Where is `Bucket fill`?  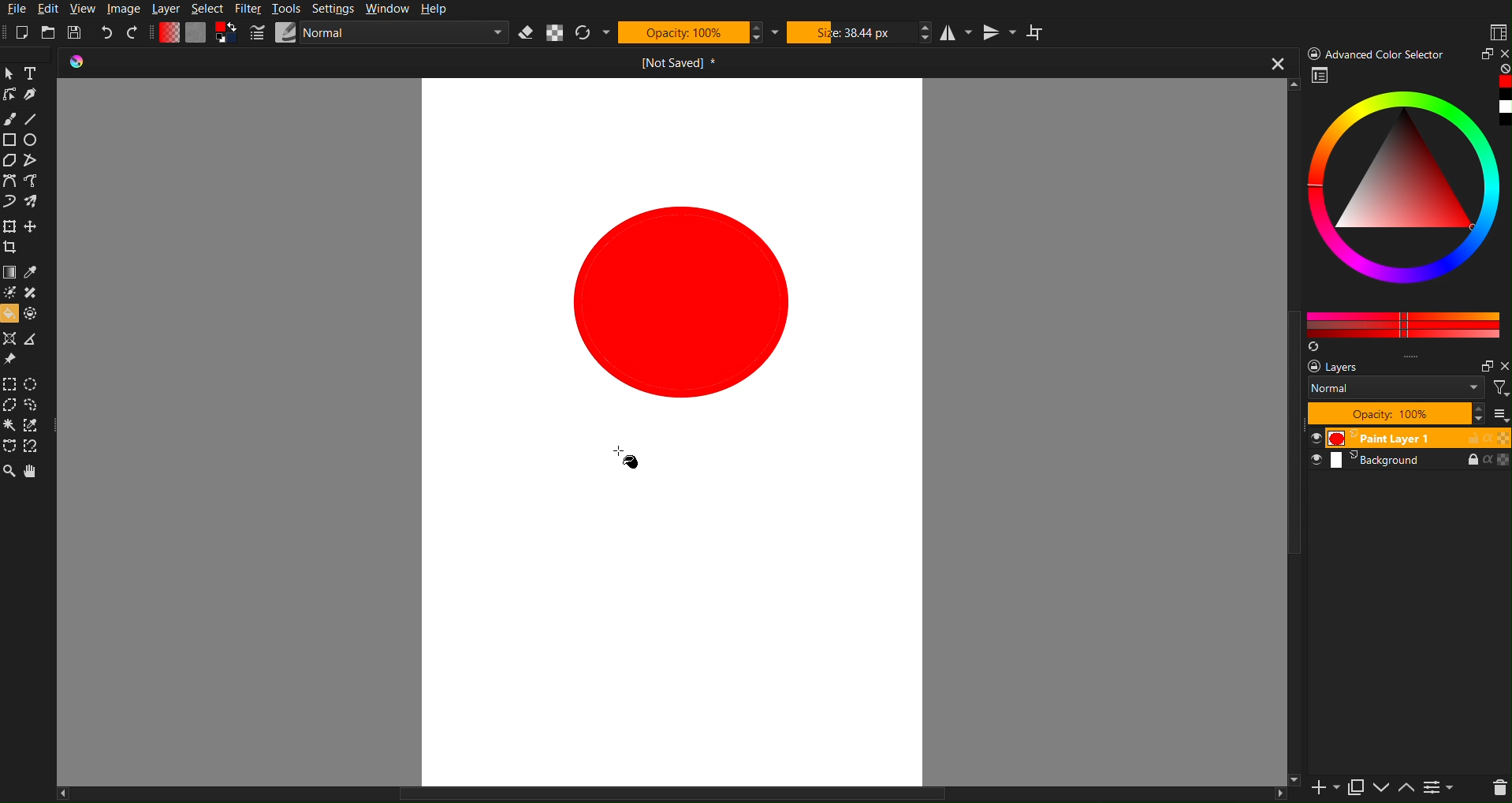
Bucket fill is located at coordinates (9, 314).